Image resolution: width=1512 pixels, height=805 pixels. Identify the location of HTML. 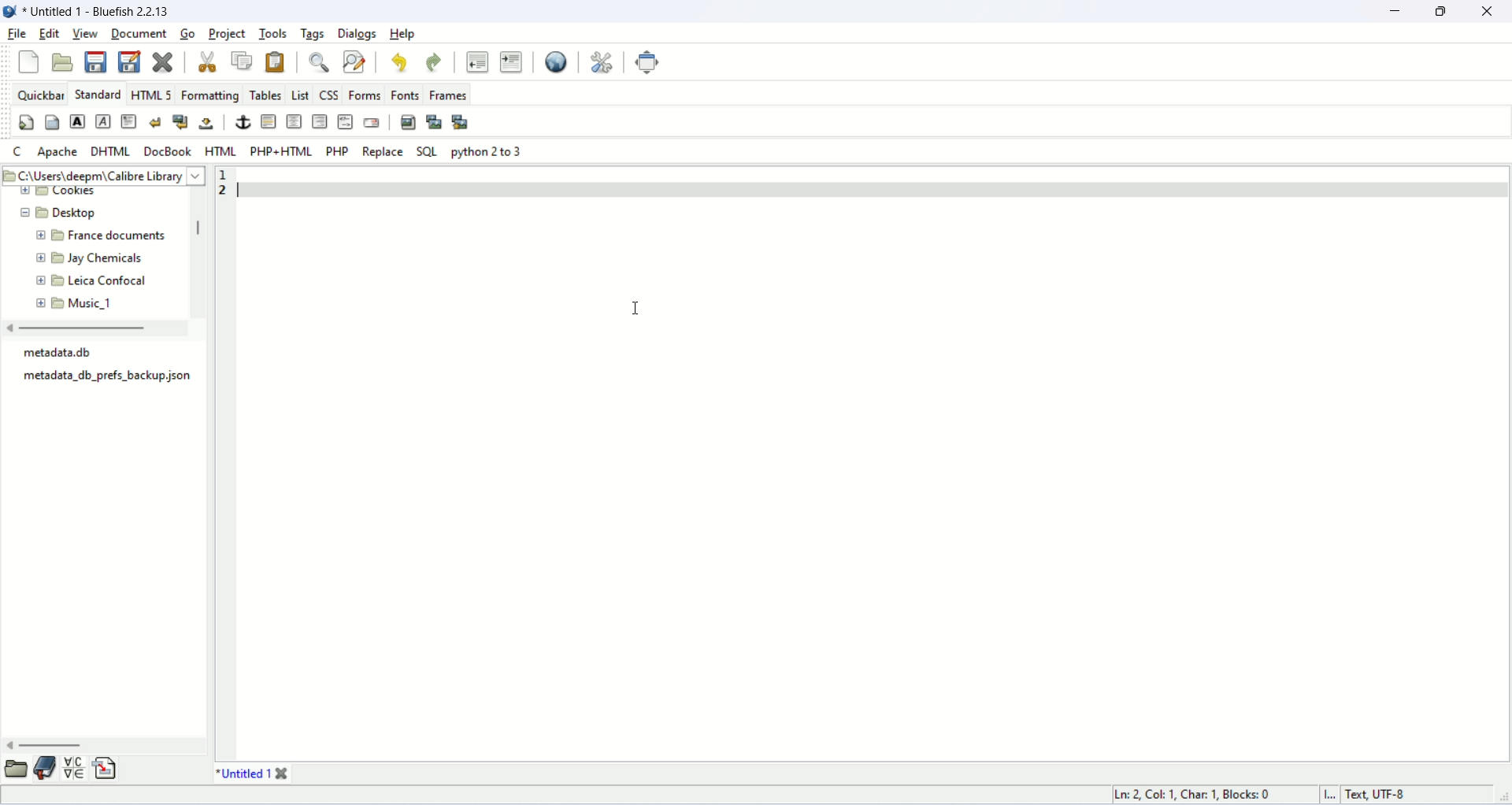
(218, 150).